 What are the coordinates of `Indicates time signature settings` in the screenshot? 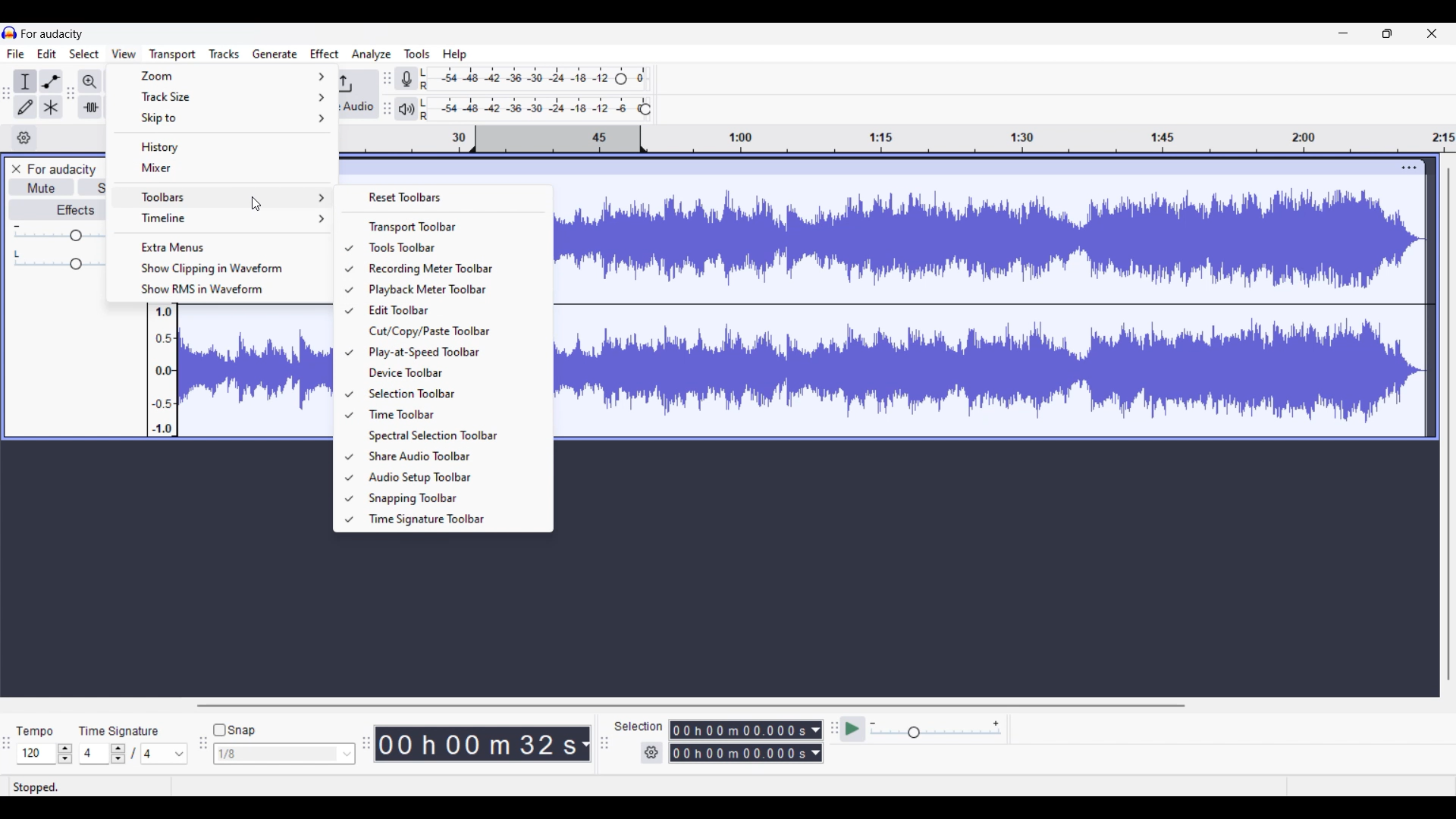 It's located at (120, 731).